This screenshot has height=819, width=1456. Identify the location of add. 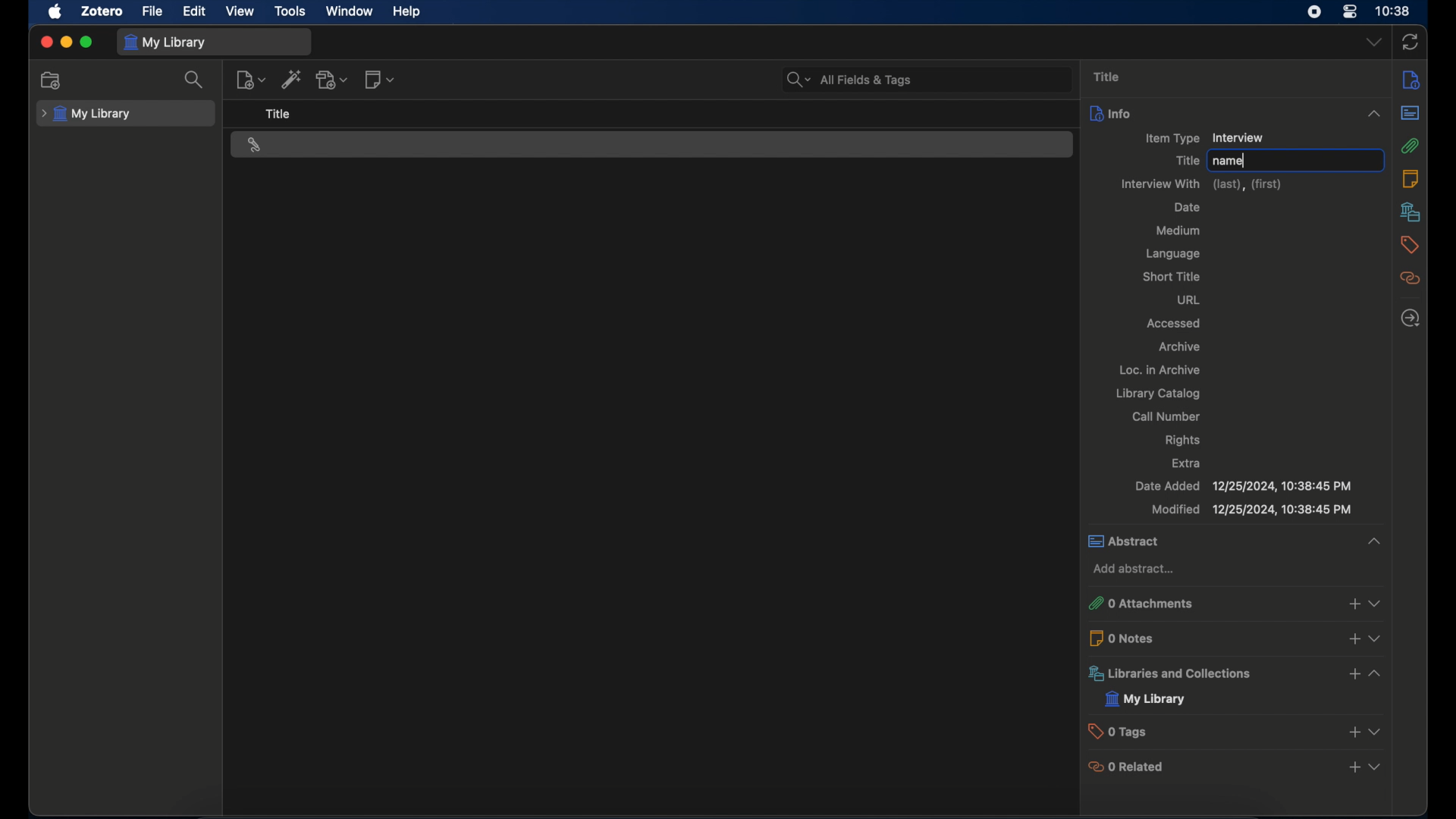
(1351, 731).